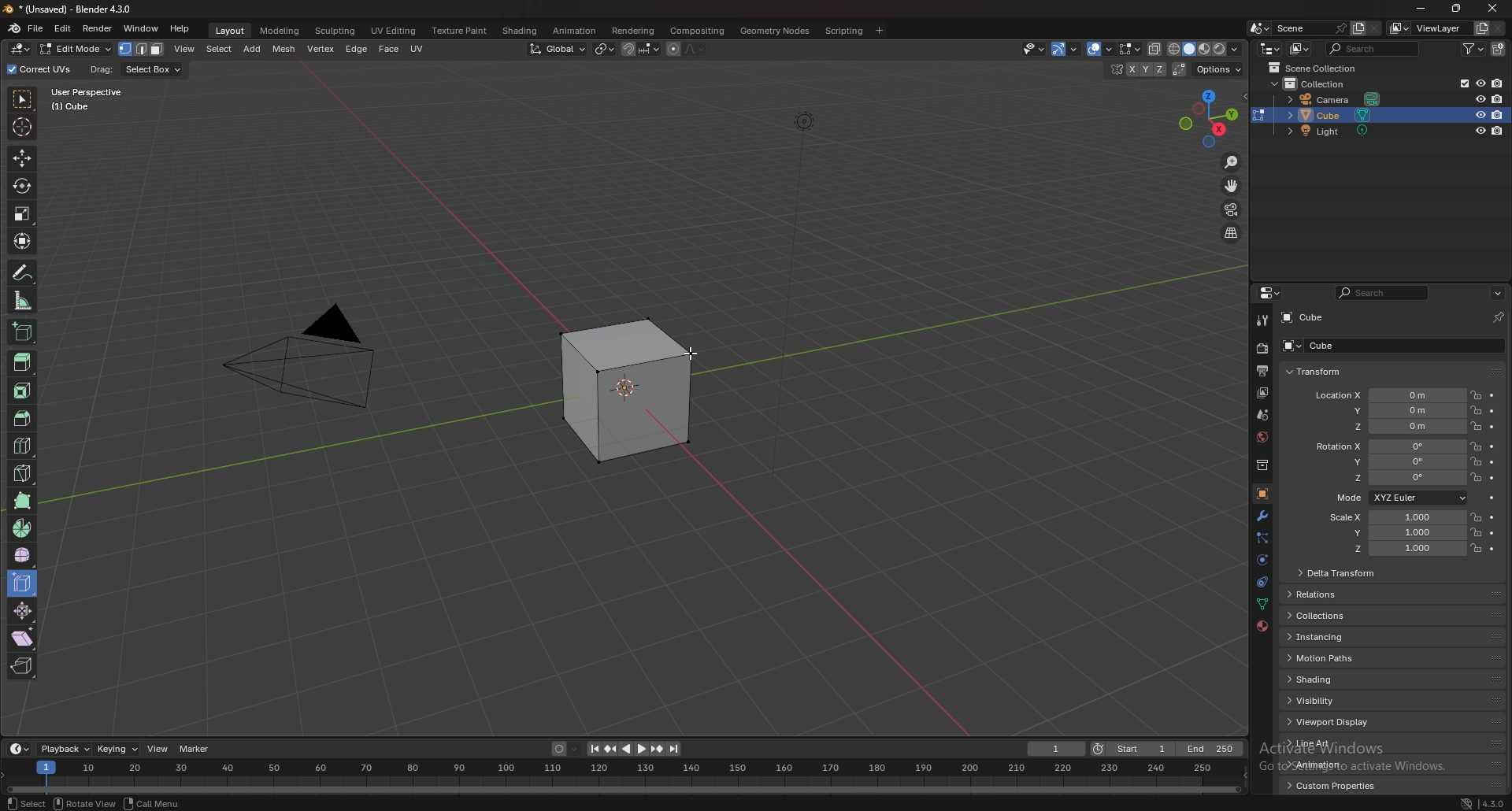 The width and height of the screenshot is (1512, 811). I want to click on add cube, so click(21, 332).